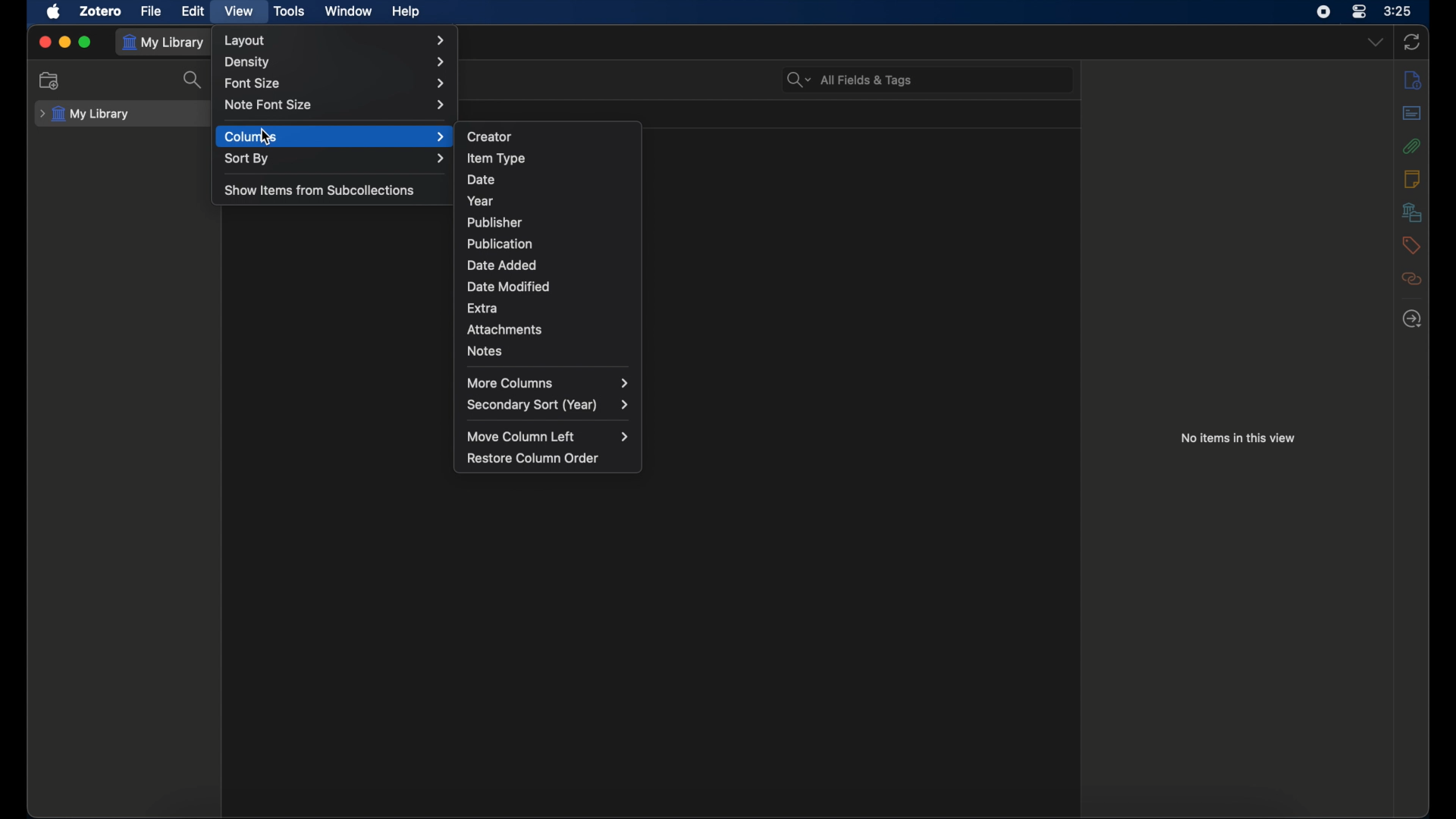 The width and height of the screenshot is (1456, 819). I want to click on maximize, so click(86, 42).